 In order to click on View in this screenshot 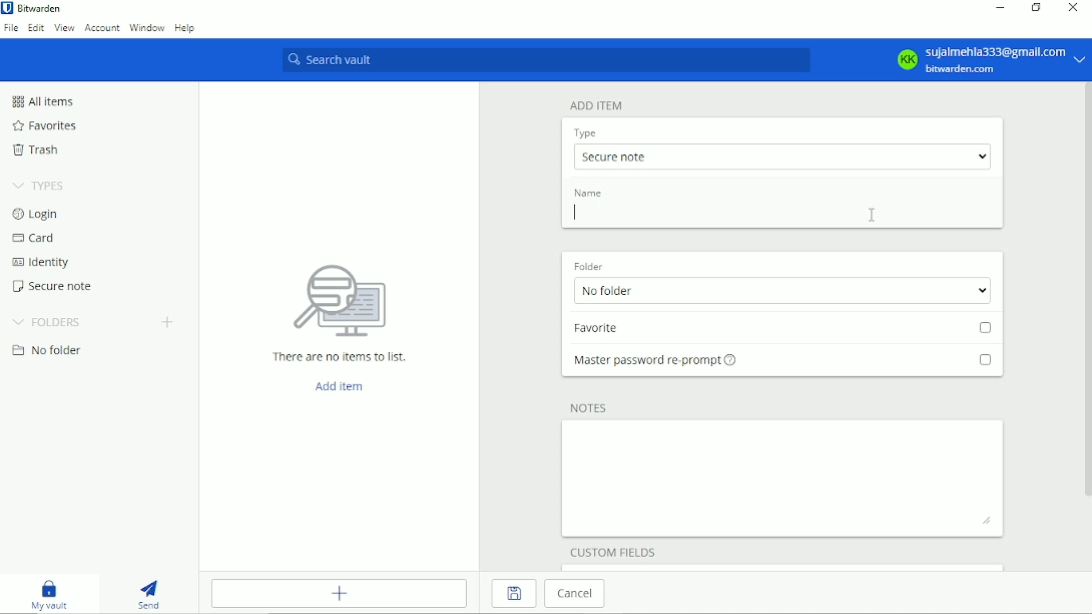, I will do `click(64, 28)`.